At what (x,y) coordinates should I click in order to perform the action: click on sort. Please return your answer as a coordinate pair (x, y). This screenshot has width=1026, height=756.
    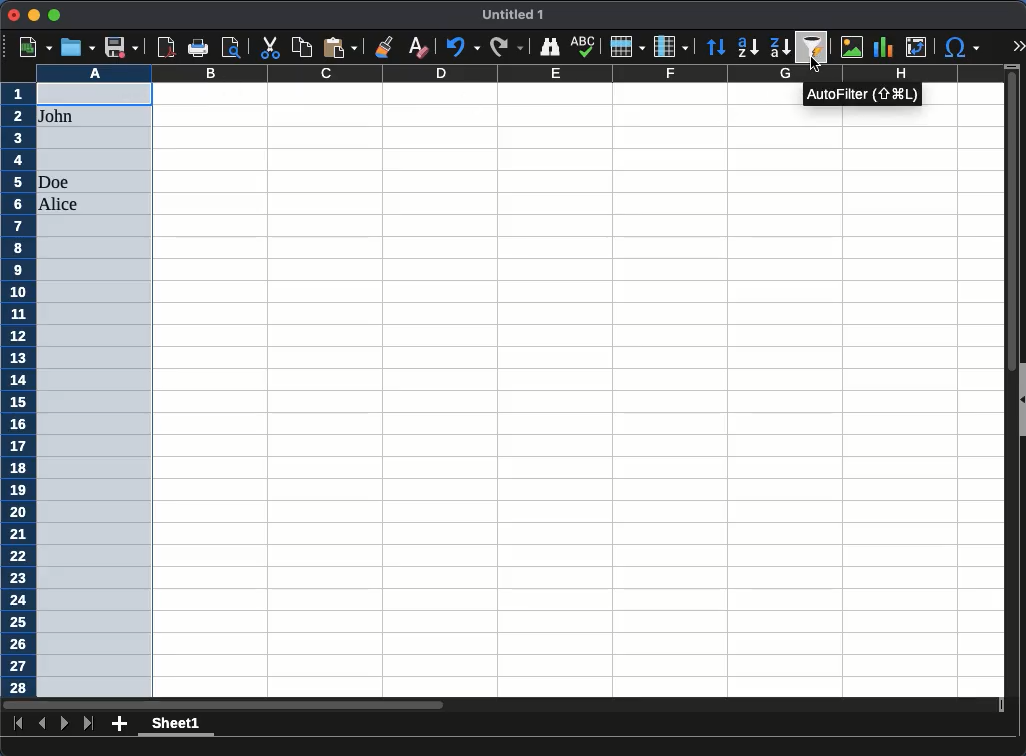
    Looking at the image, I should click on (718, 47).